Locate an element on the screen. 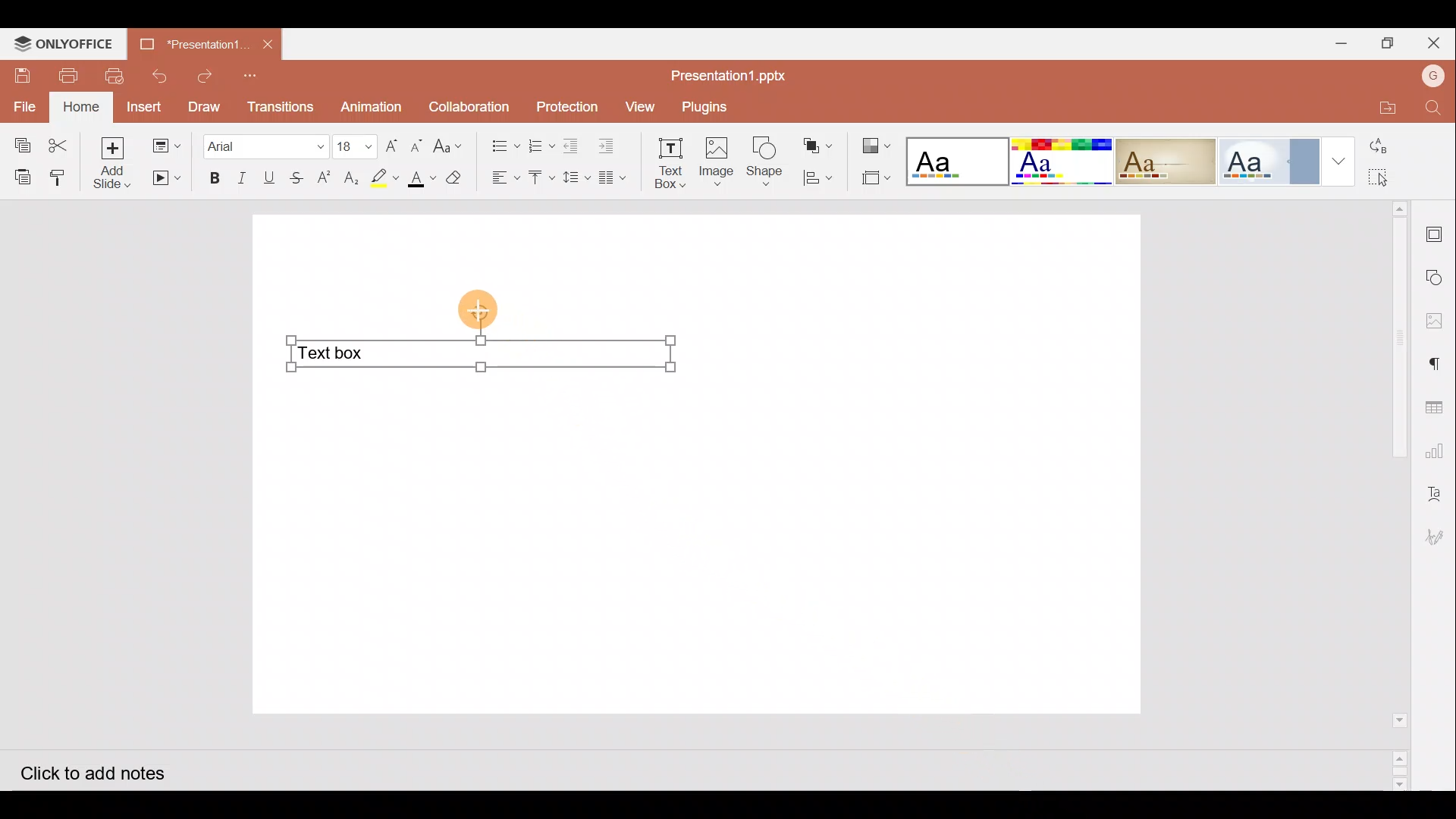  More is located at coordinates (1338, 160).